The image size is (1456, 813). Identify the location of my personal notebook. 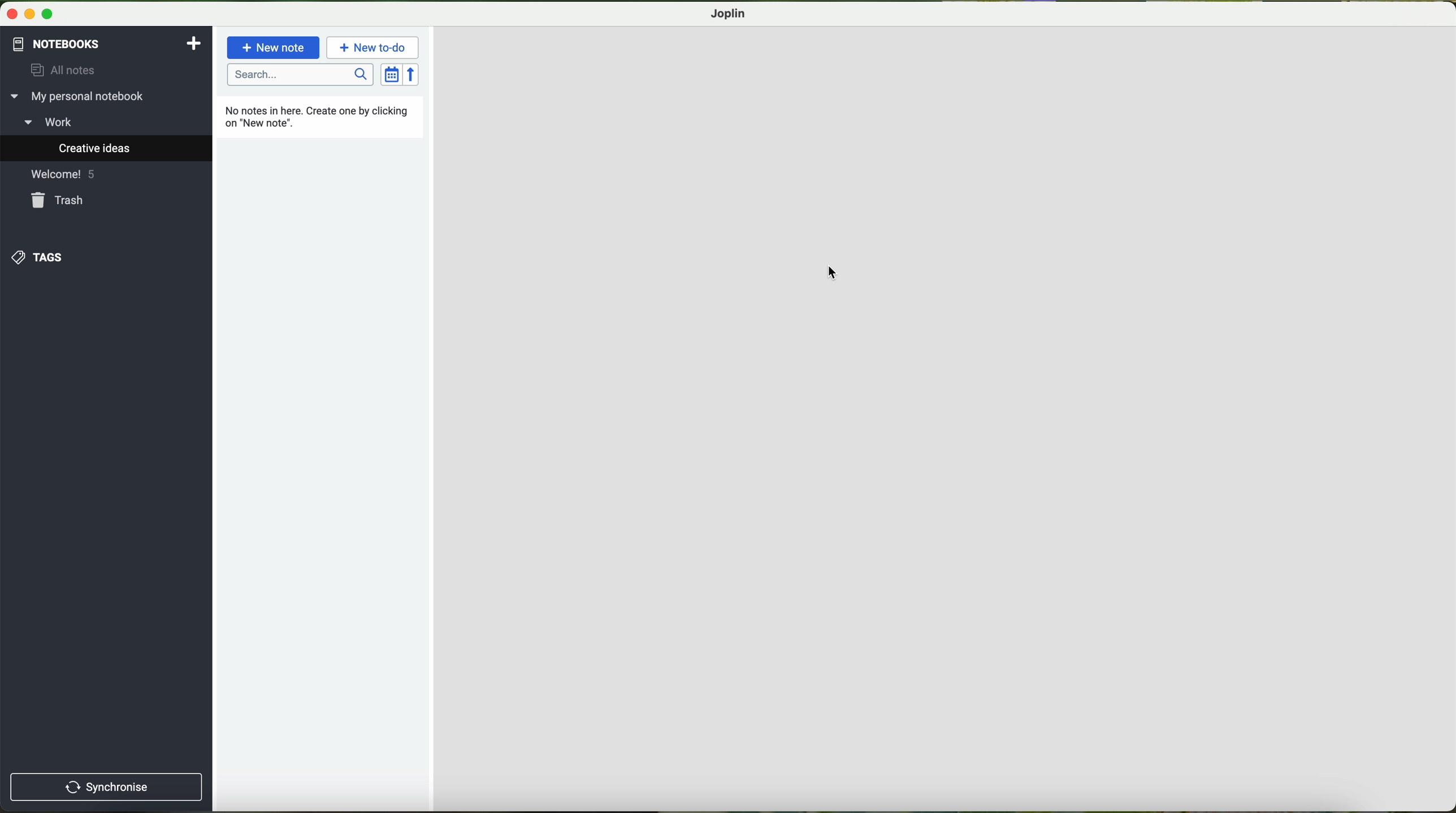
(80, 97).